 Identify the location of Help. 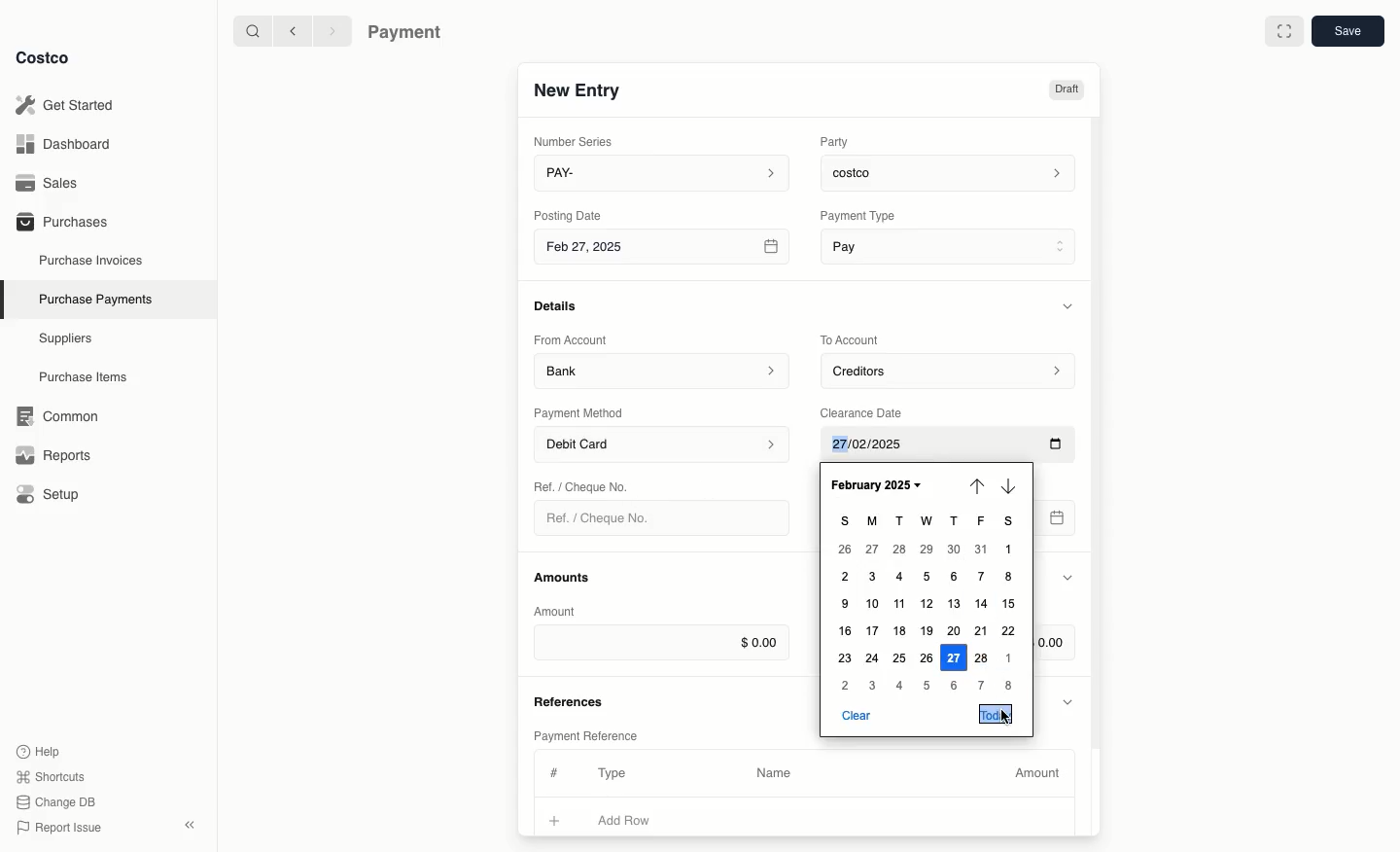
(38, 750).